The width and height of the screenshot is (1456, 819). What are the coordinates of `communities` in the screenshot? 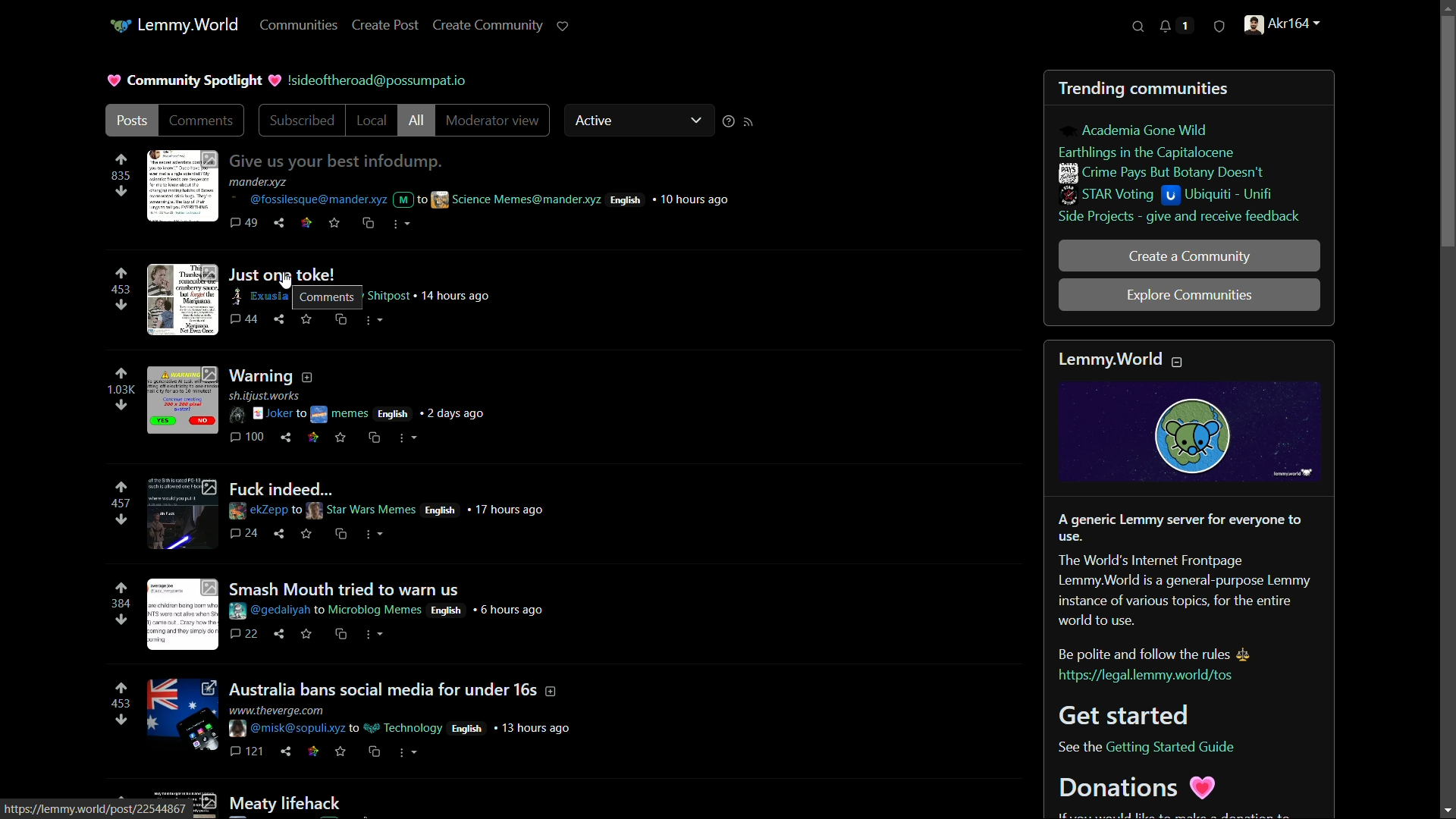 It's located at (1181, 88).